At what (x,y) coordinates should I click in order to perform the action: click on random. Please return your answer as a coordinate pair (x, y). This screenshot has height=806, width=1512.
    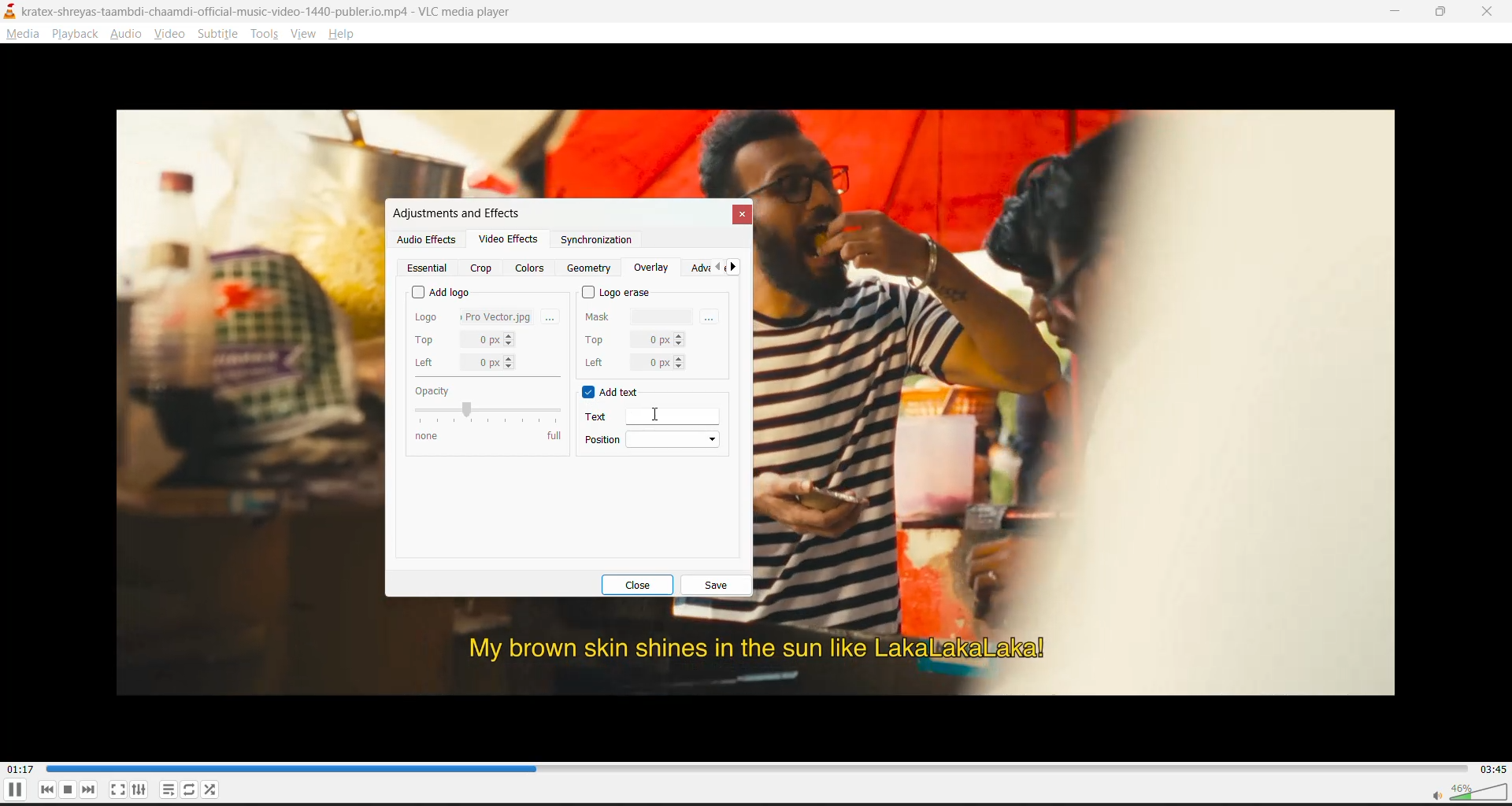
    Looking at the image, I should click on (211, 791).